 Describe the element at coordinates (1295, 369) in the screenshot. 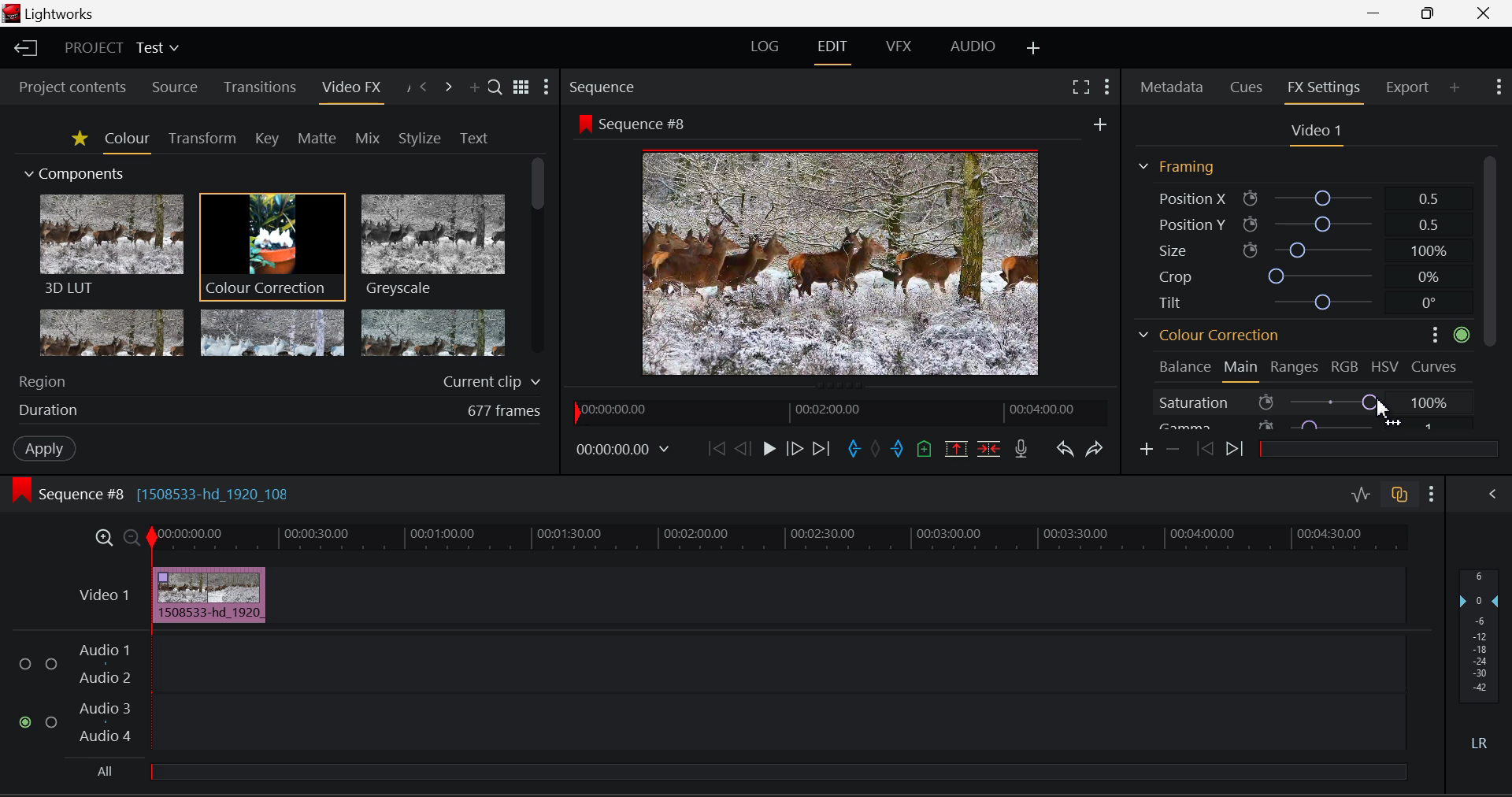

I see `Ranges` at that location.